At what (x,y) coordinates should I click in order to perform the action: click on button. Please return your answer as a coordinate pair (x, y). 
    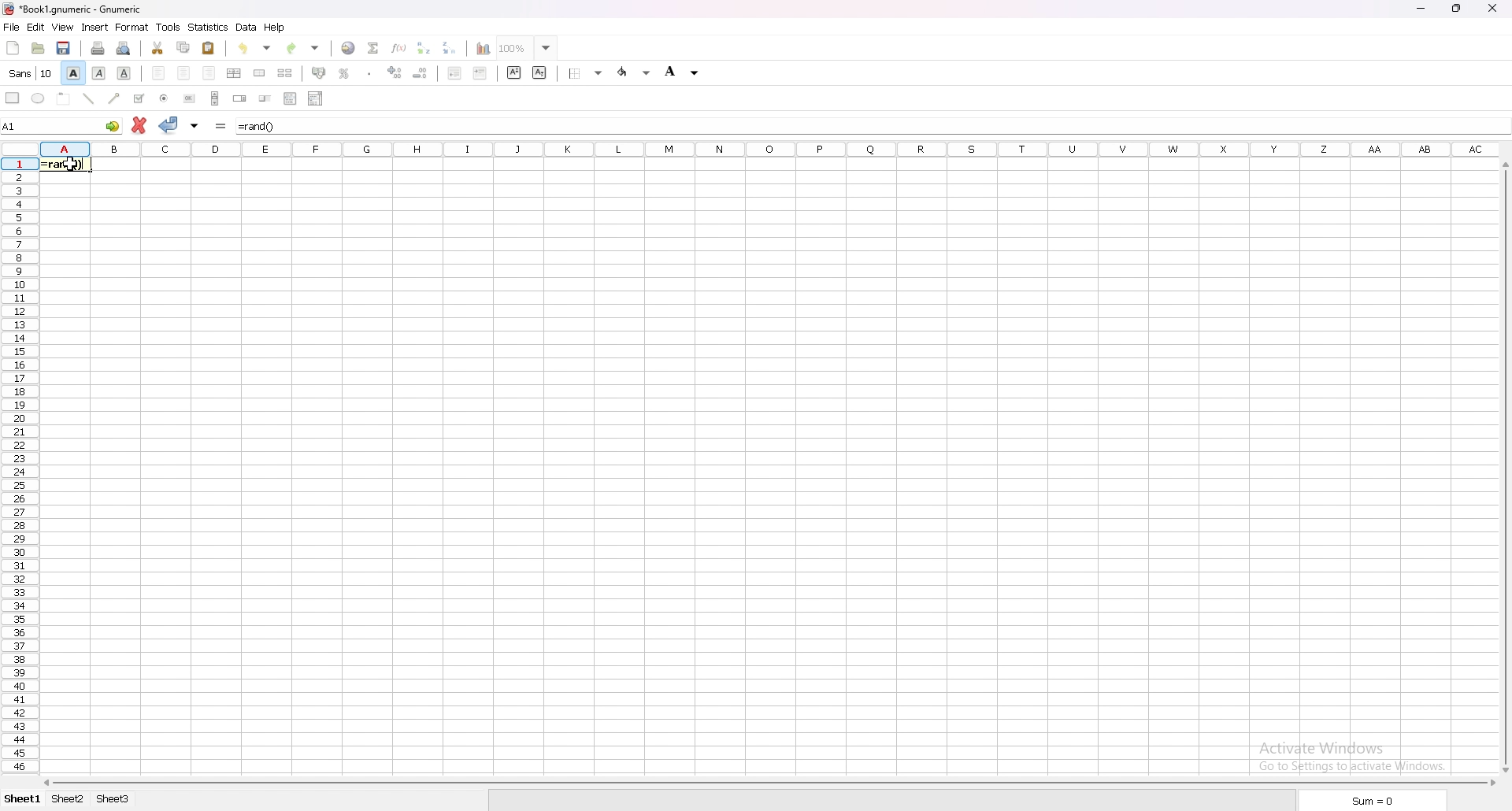
    Looking at the image, I should click on (188, 98).